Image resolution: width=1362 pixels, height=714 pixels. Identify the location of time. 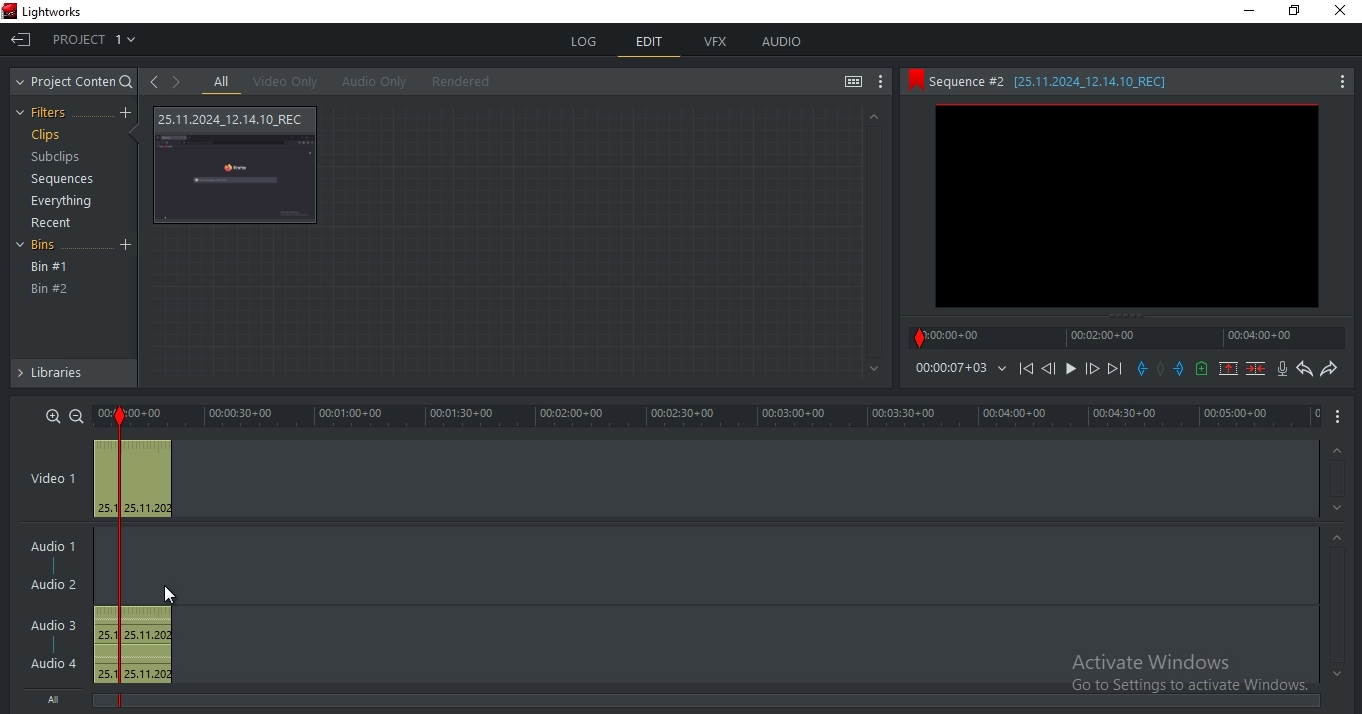
(731, 416).